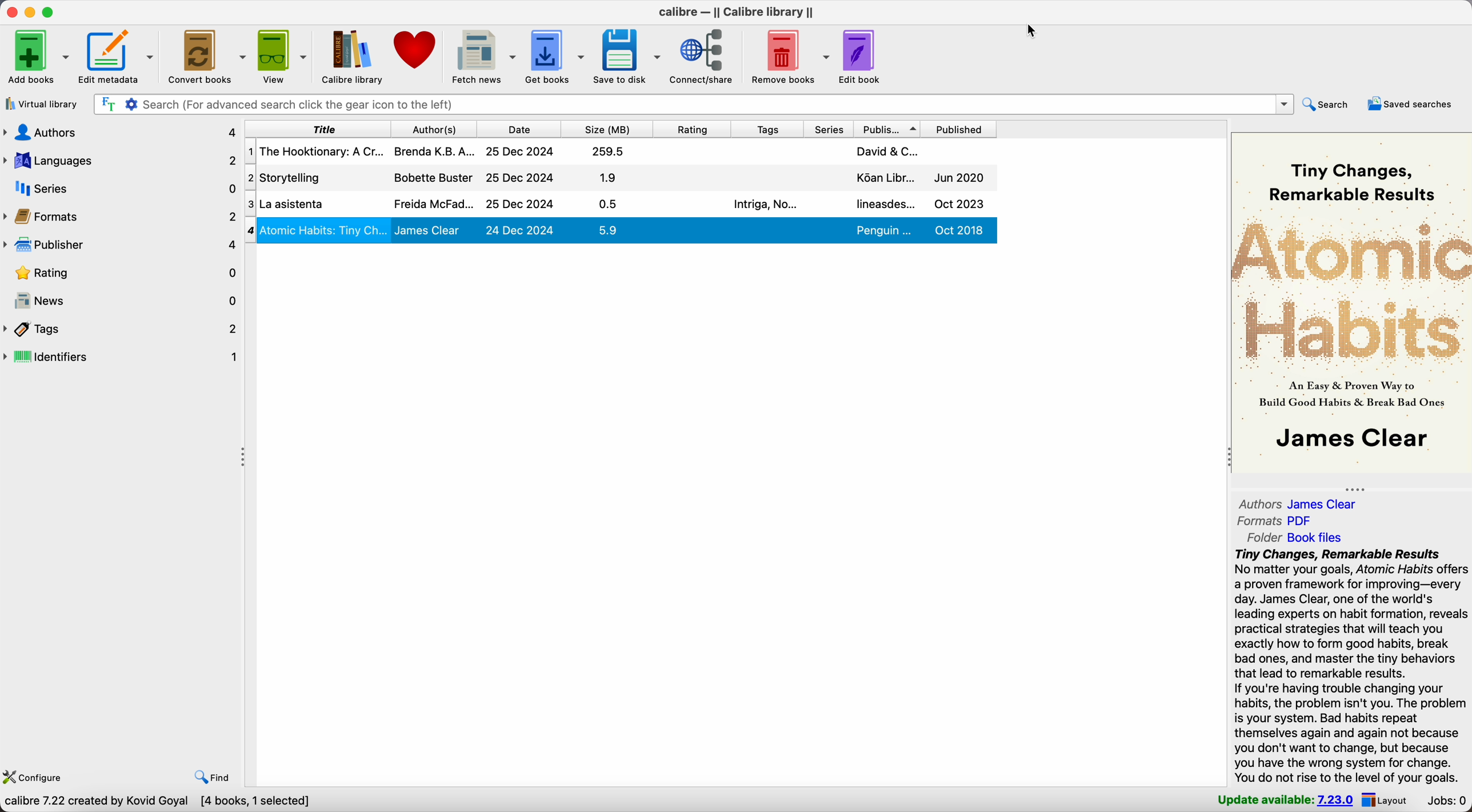 This screenshot has width=1472, height=812. Describe the element at coordinates (37, 775) in the screenshot. I see `configure` at that location.